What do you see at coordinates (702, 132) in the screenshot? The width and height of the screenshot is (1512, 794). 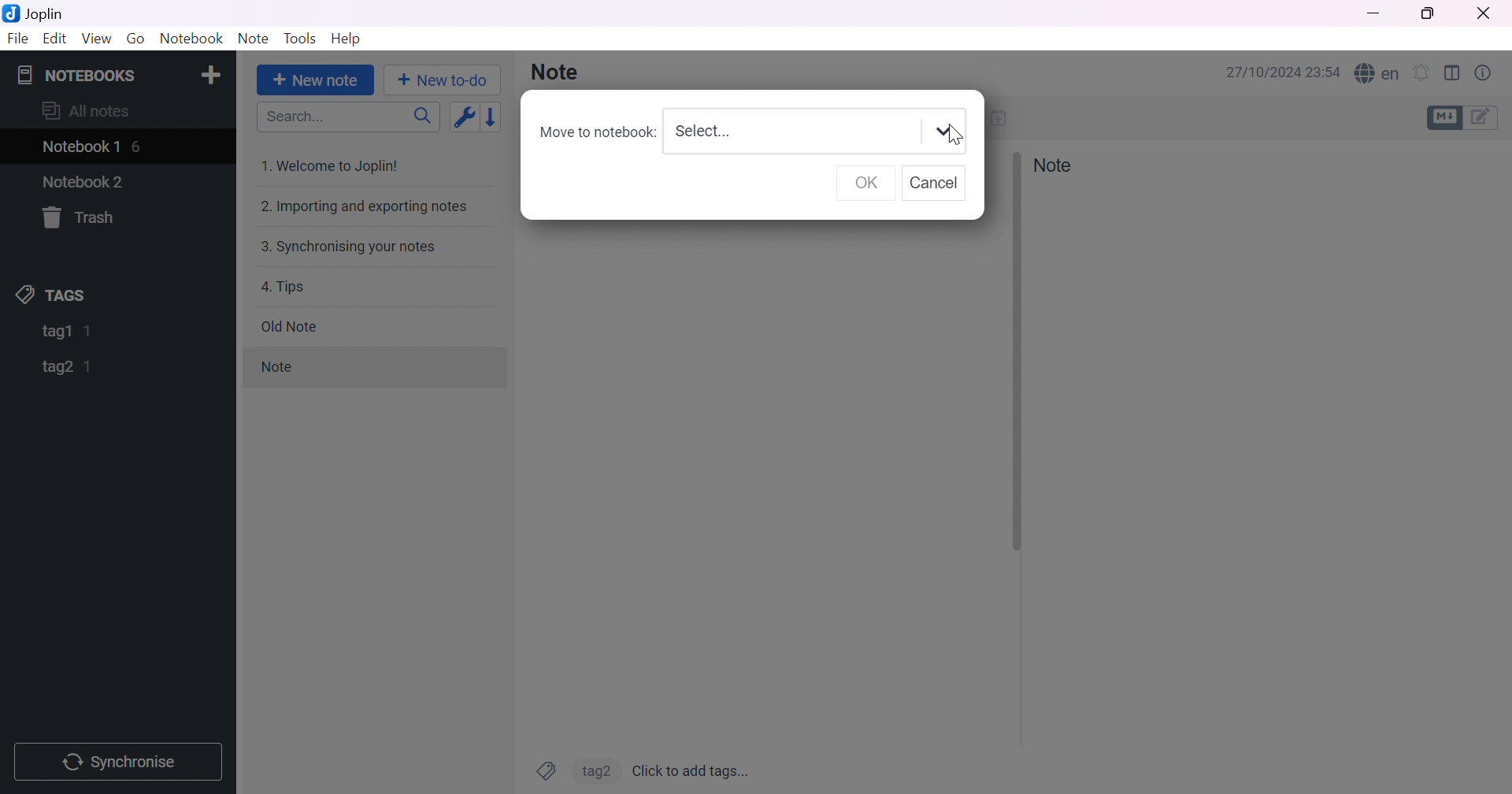 I see `Select...` at bounding box center [702, 132].